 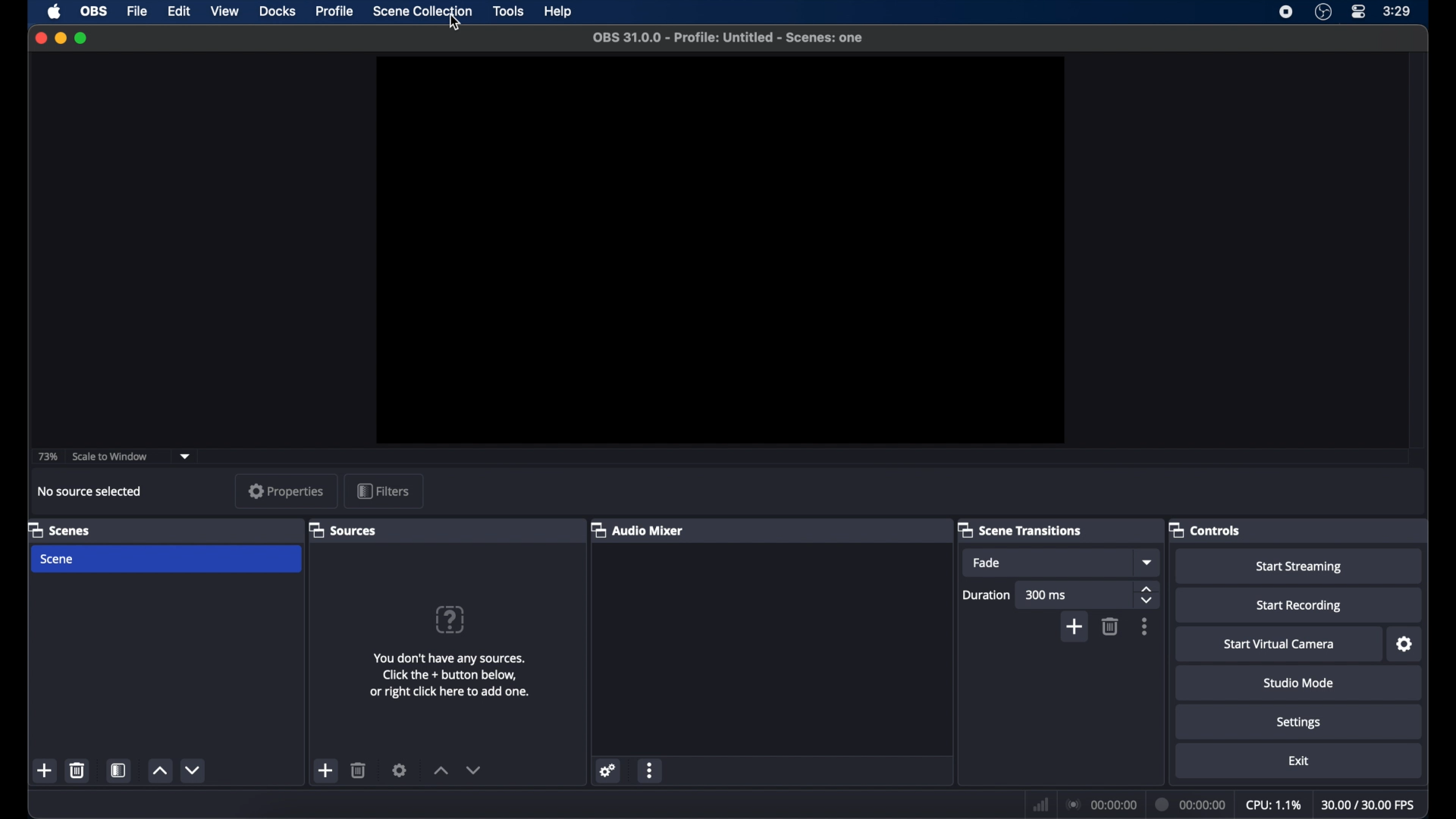 I want to click on help, so click(x=560, y=12).